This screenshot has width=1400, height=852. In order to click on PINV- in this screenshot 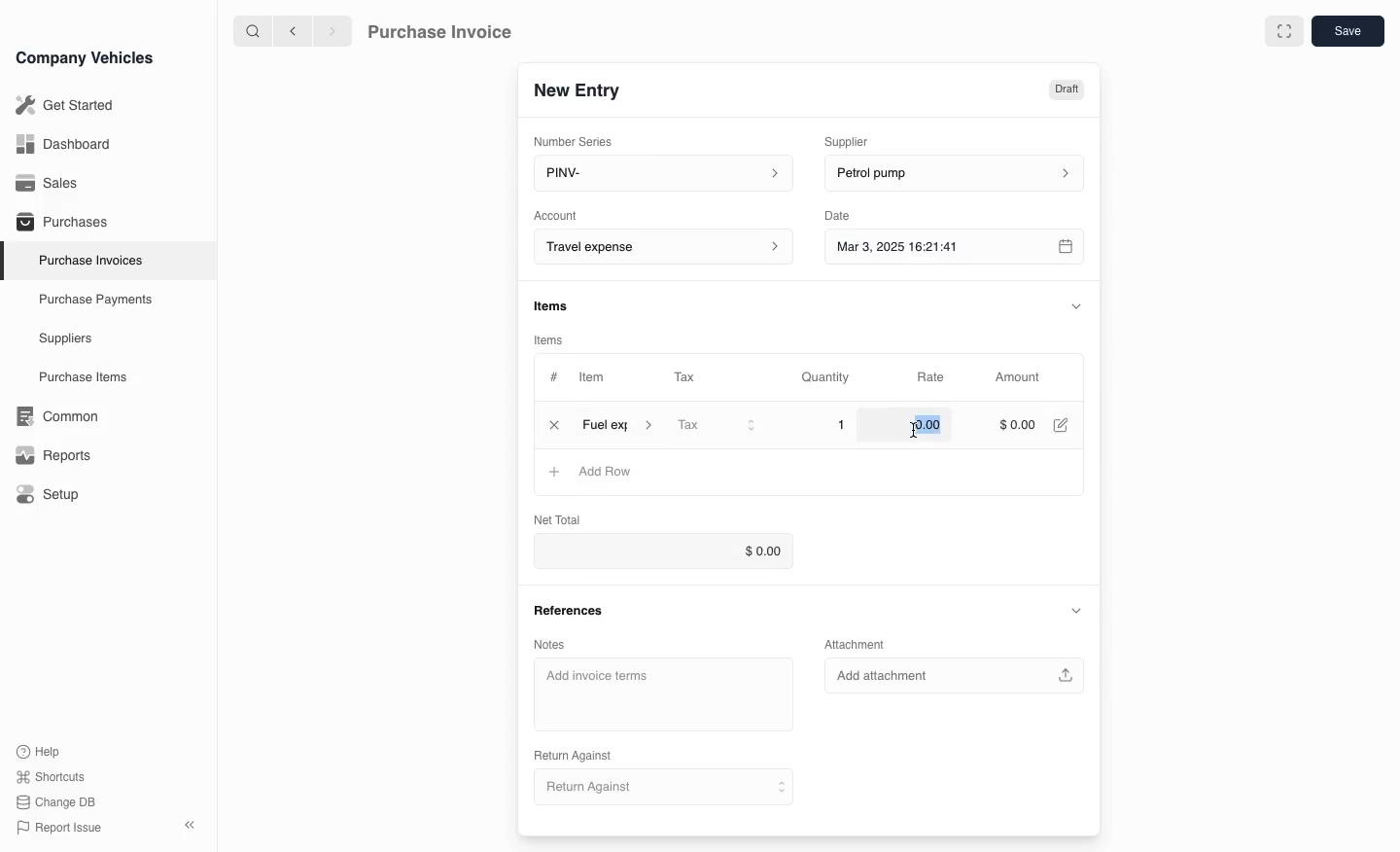, I will do `click(657, 175)`.